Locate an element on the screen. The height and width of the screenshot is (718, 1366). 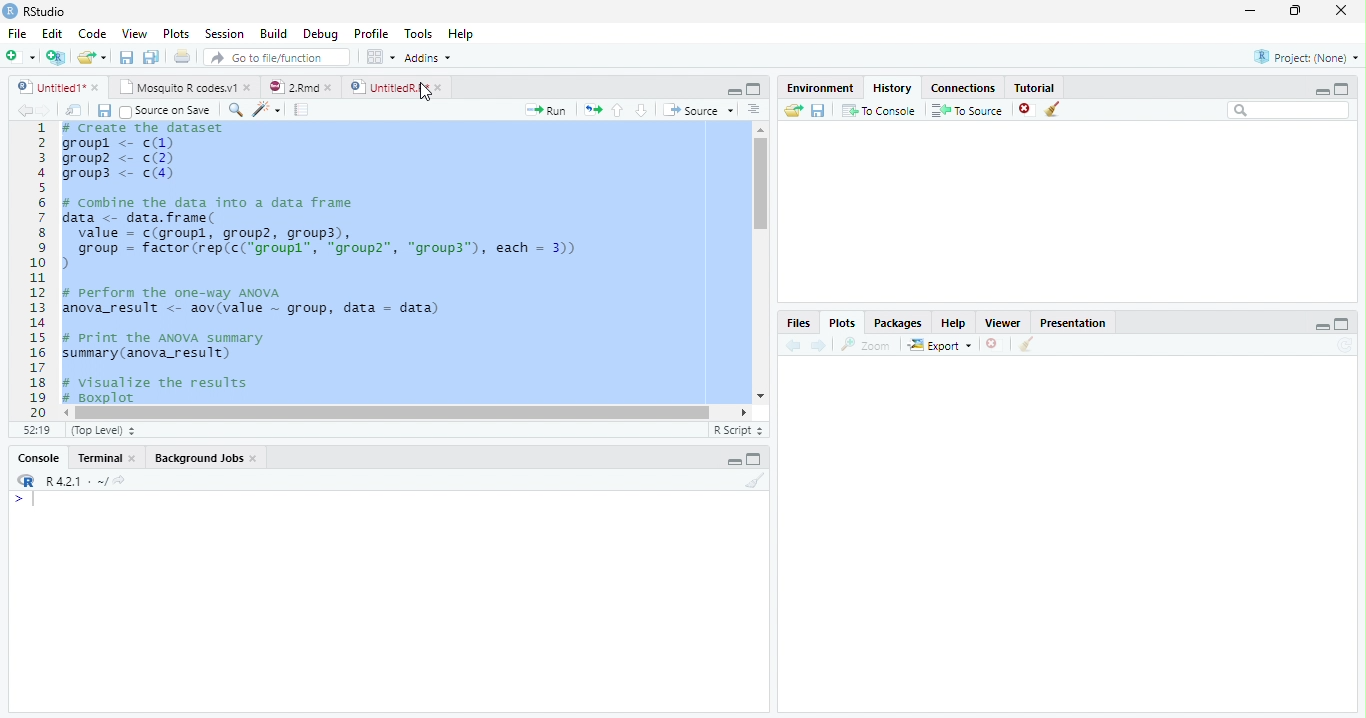
Save is located at coordinates (128, 58).